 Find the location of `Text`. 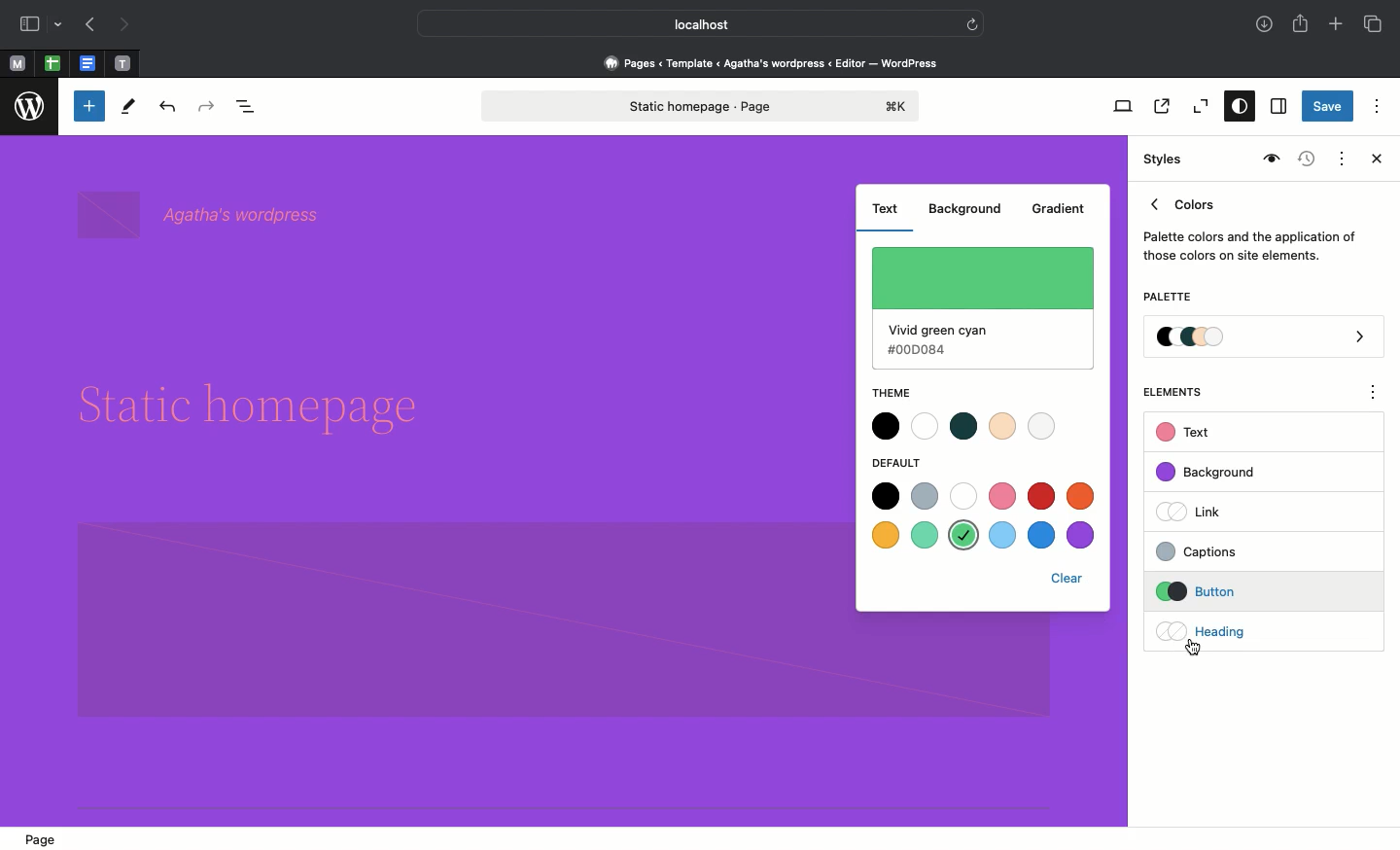

Text is located at coordinates (1186, 433).